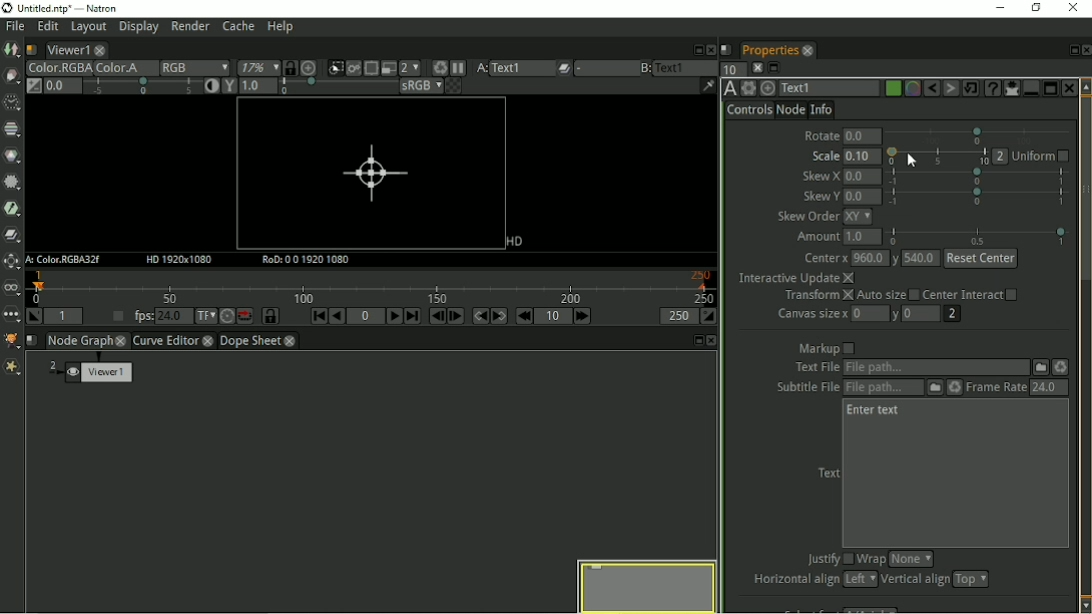  I want to click on Wrap, so click(896, 559).